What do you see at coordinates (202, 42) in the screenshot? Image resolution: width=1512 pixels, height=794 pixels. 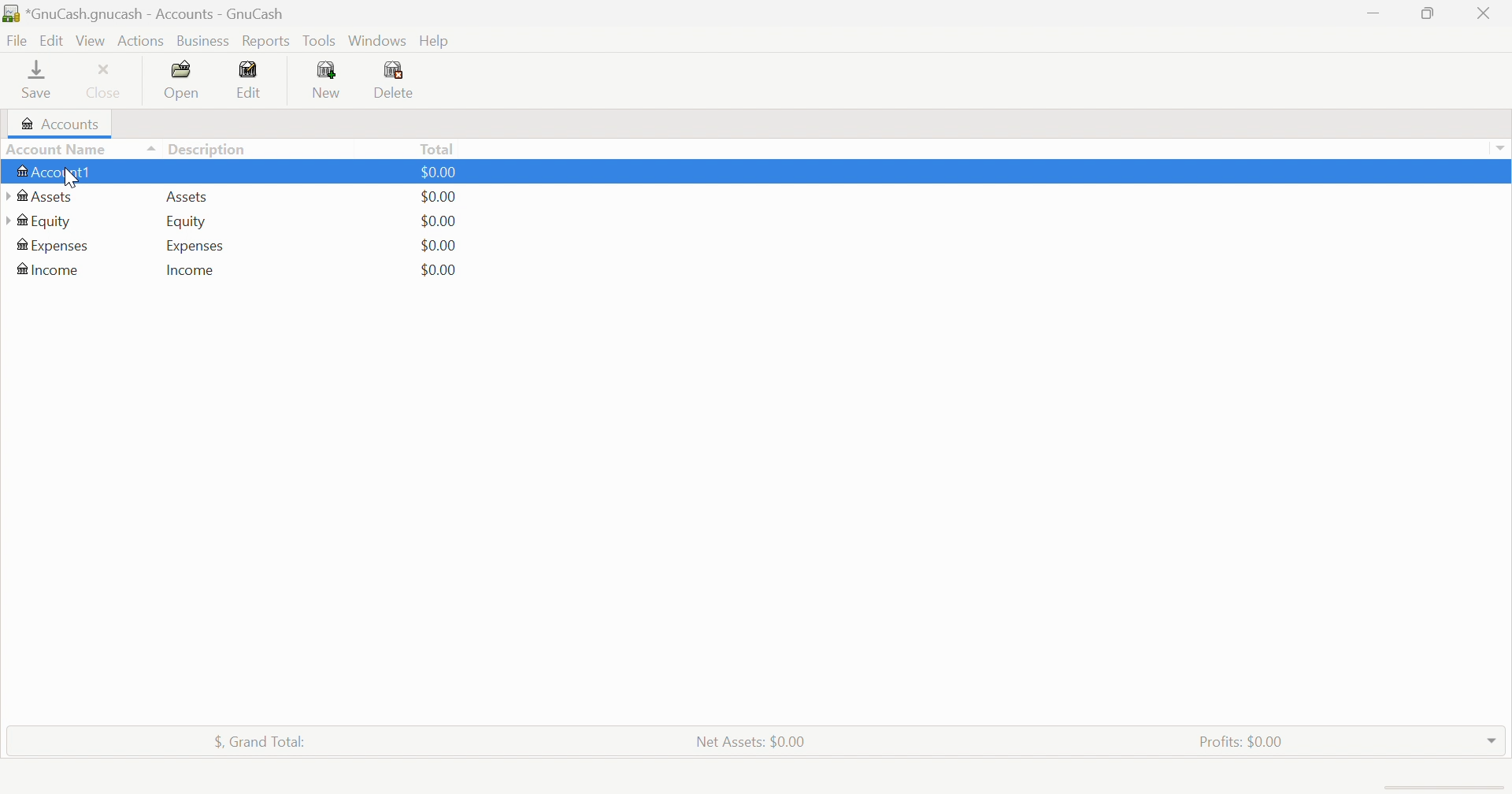 I see `Business` at bounding box center [202, 42].